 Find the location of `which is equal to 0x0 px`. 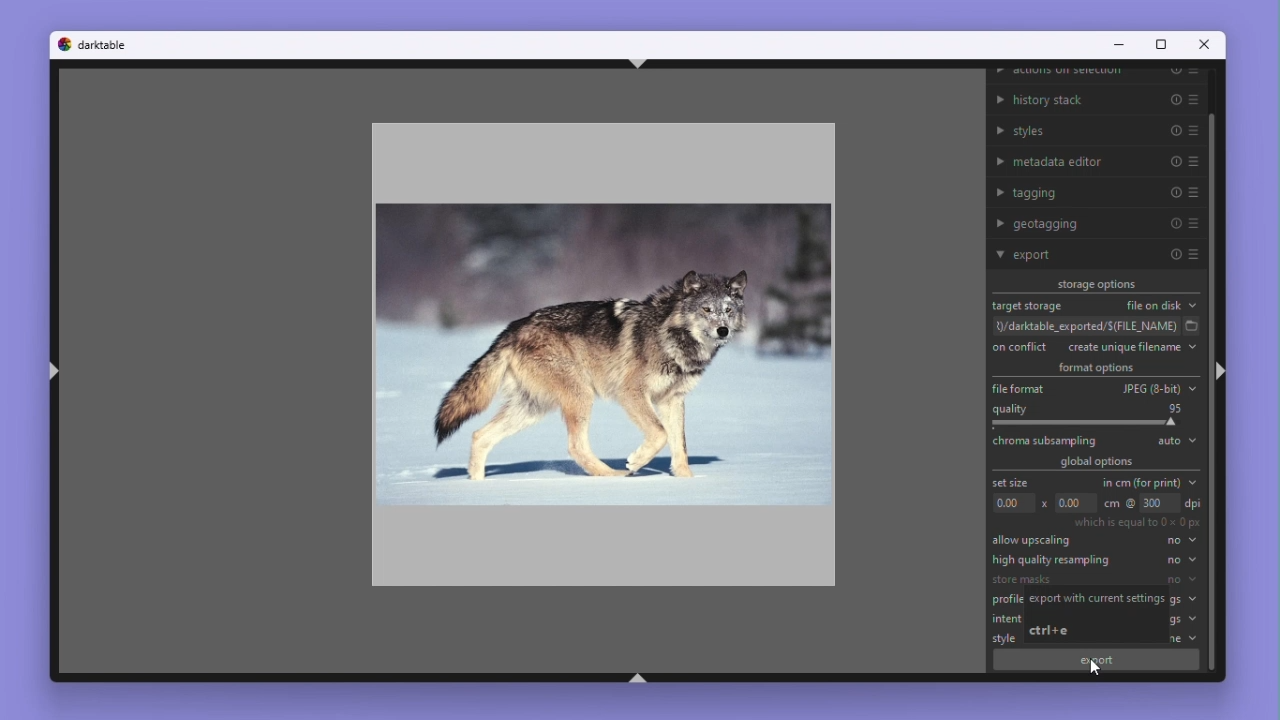

which is equal to 0x0 px is located at coordinates (1140, 522).